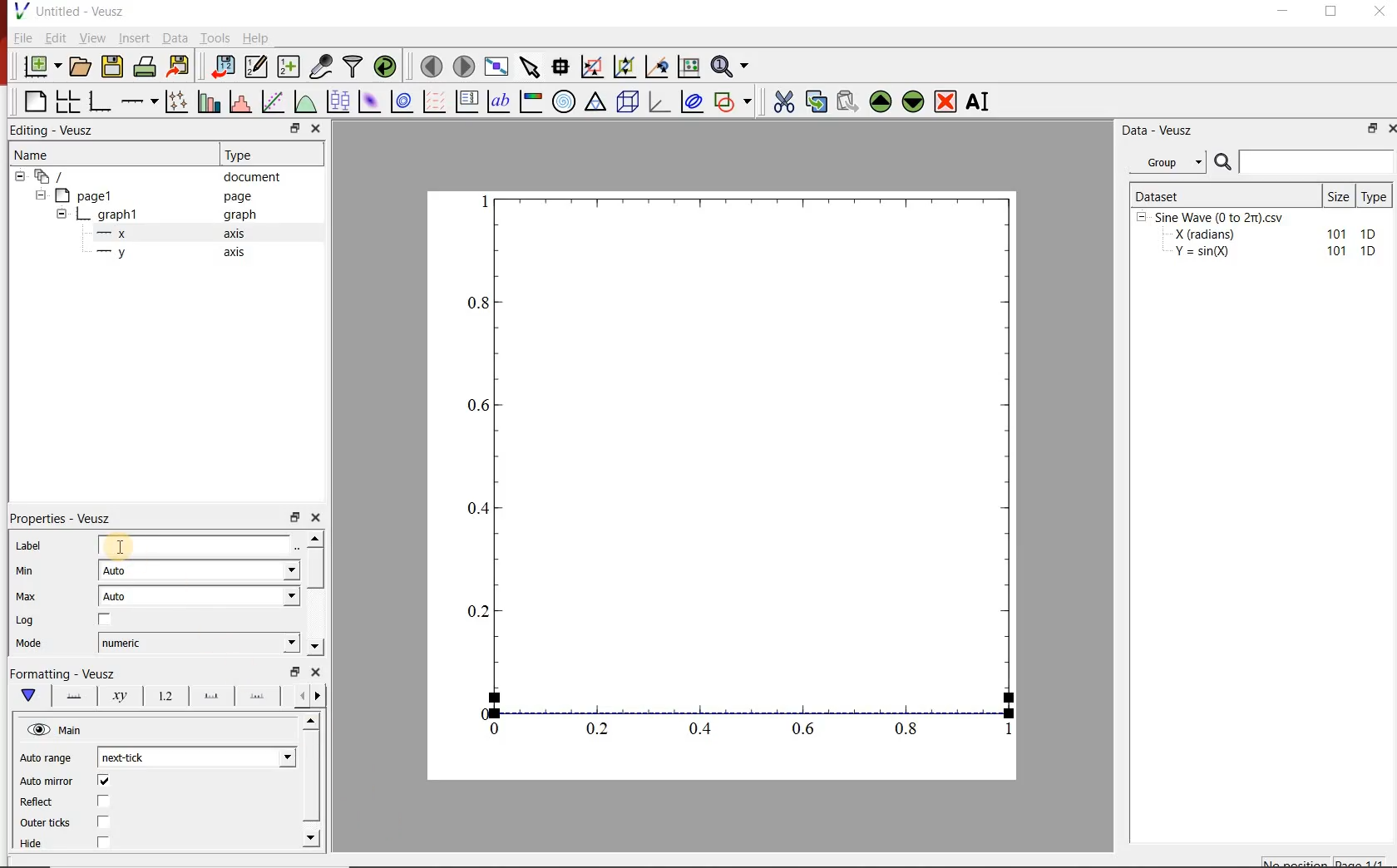 Image resolution: width=1397 pixels, height=868 pixels. I want to click on click to reset graphs, so click(689, 66).